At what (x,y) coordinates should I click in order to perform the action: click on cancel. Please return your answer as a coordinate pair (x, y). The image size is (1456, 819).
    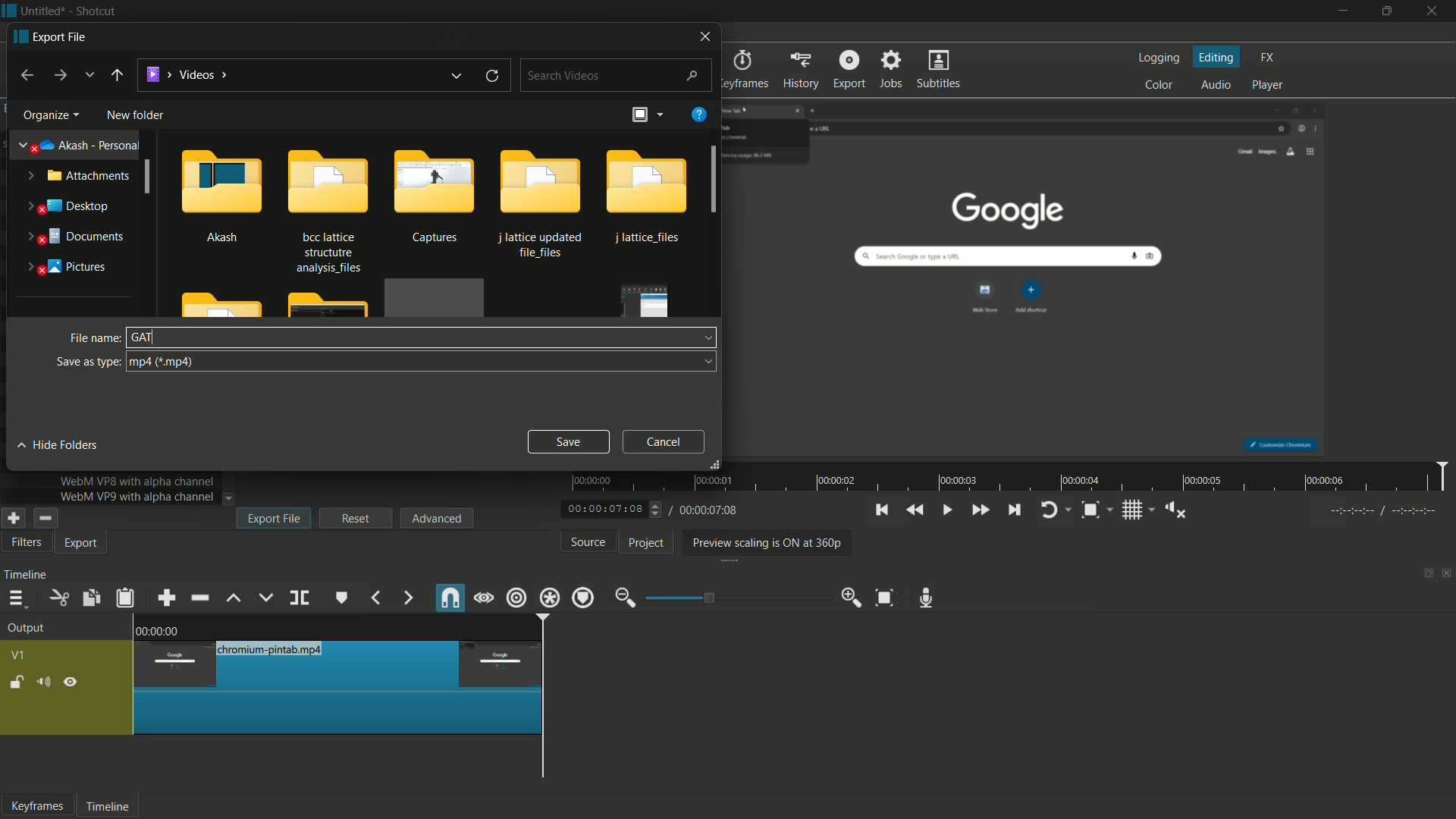
    Looking at the image, I should click on (665, 441).